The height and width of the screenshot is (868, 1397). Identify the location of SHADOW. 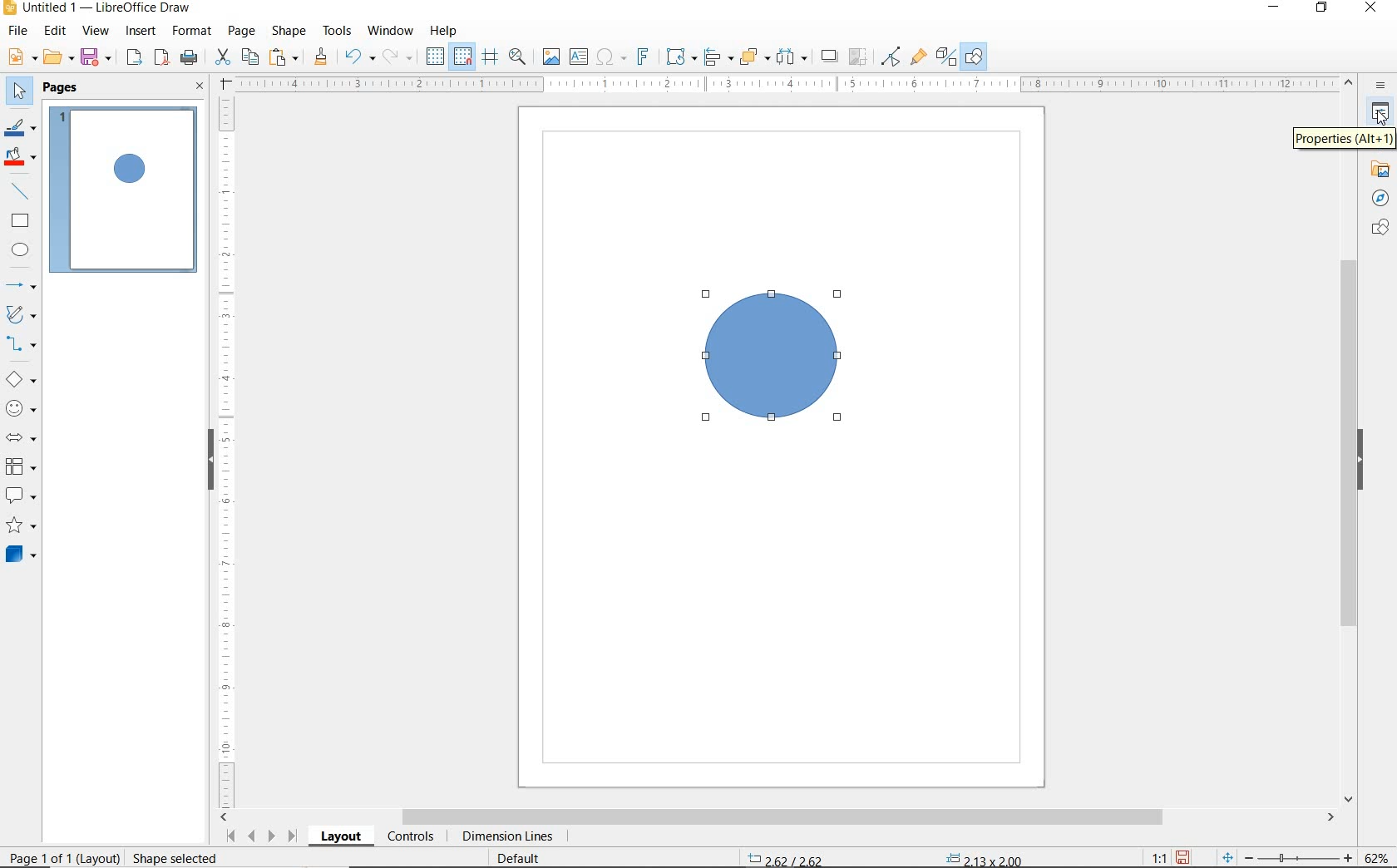
(829, 57).